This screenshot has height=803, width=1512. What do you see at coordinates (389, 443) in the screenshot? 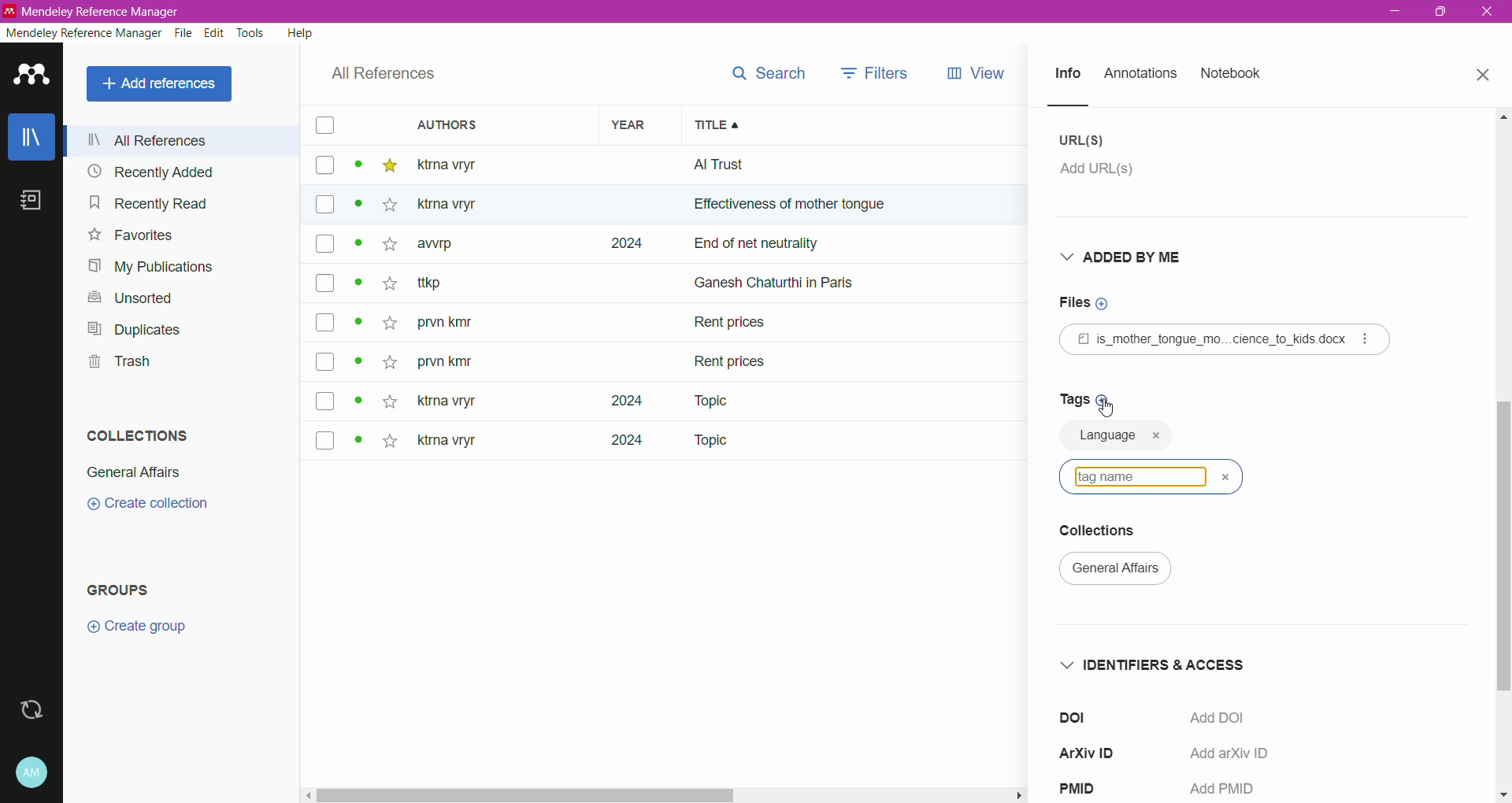
I see `star` at bounding box center [389, 443].